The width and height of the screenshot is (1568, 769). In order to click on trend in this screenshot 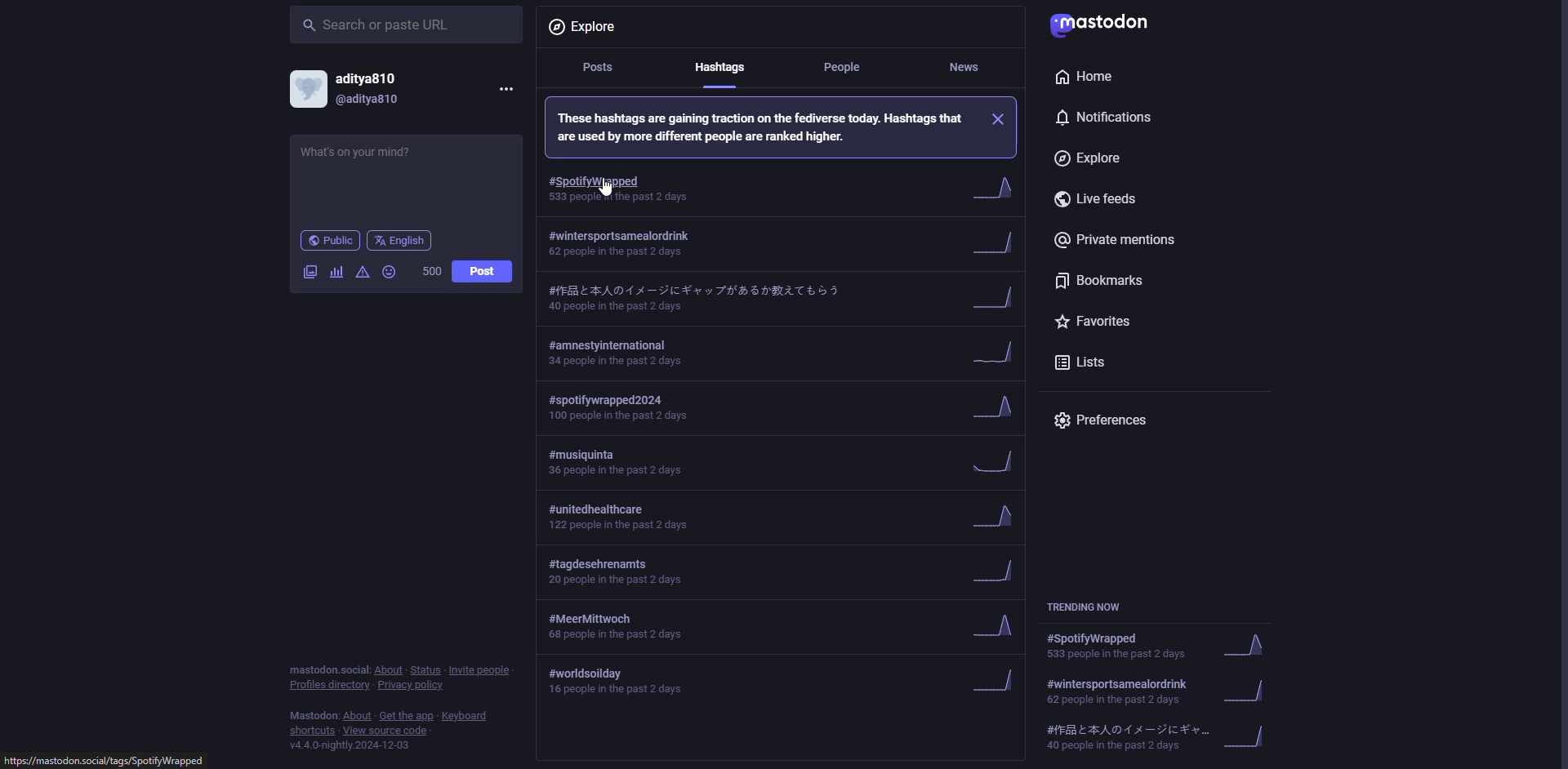, I will do `click(991, 189)`.